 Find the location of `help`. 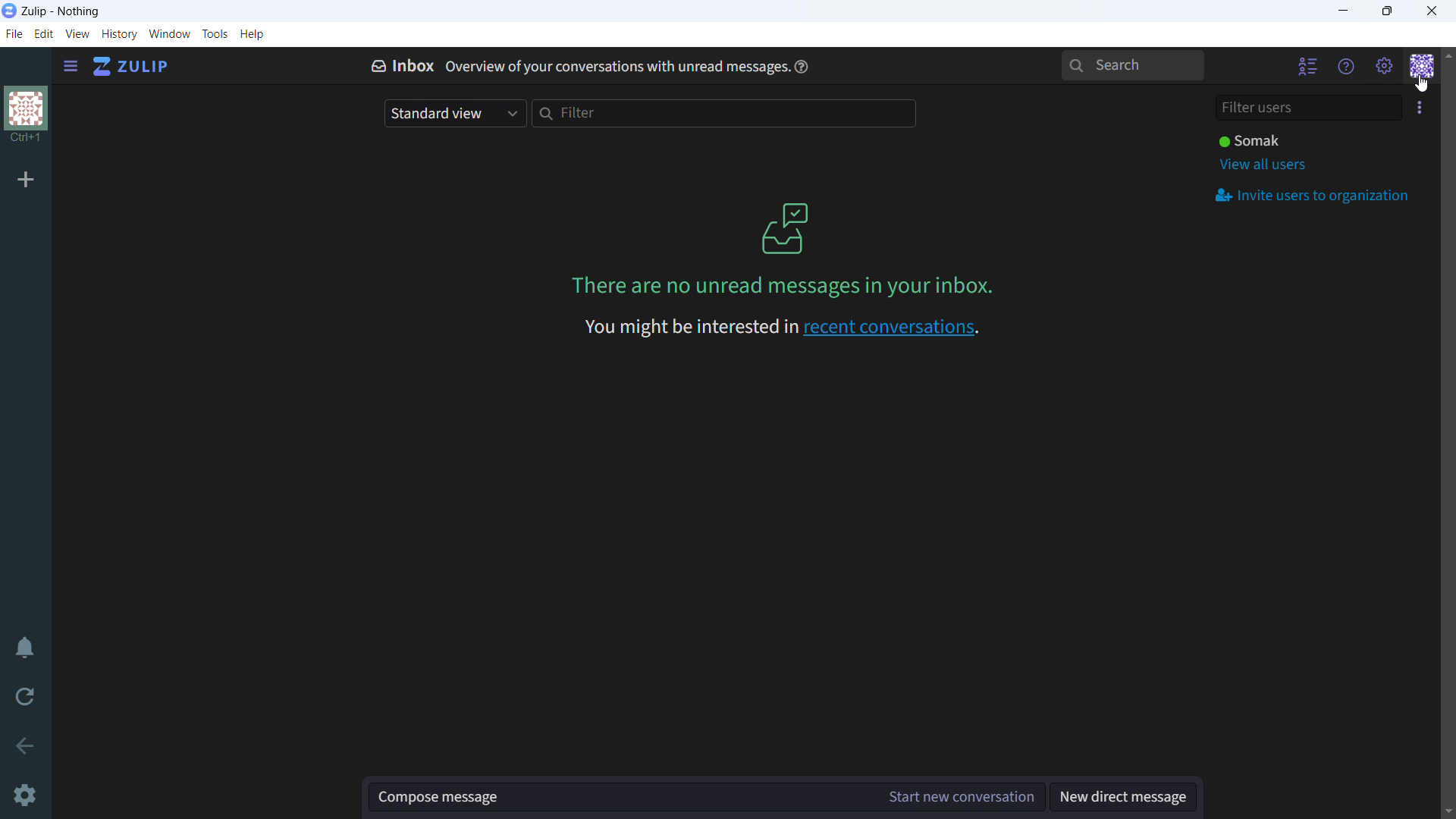

help is located at coordinates (252, 34).